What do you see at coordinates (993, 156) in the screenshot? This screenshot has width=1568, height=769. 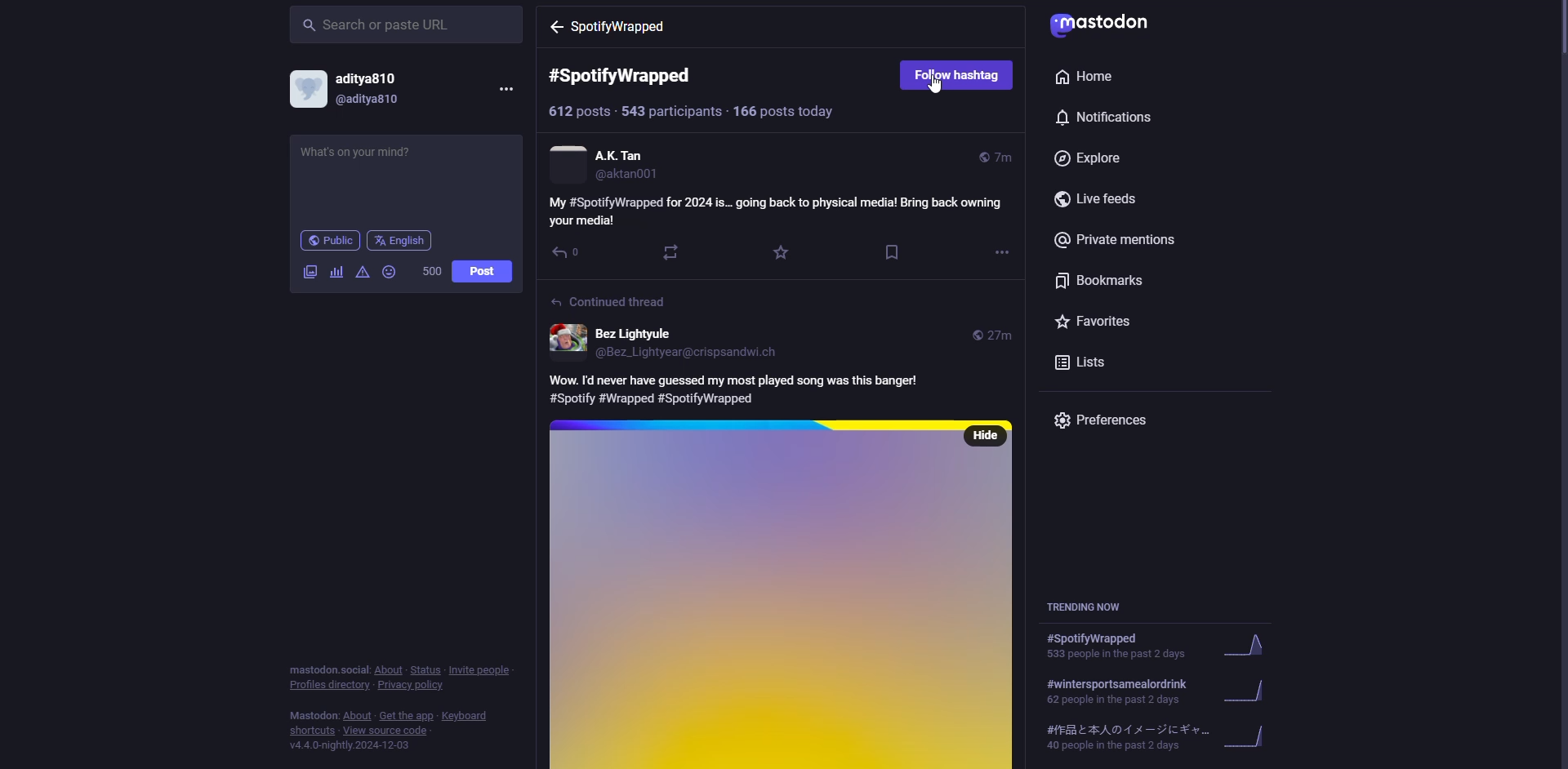 I see `time` at bounding box center [993, 156].